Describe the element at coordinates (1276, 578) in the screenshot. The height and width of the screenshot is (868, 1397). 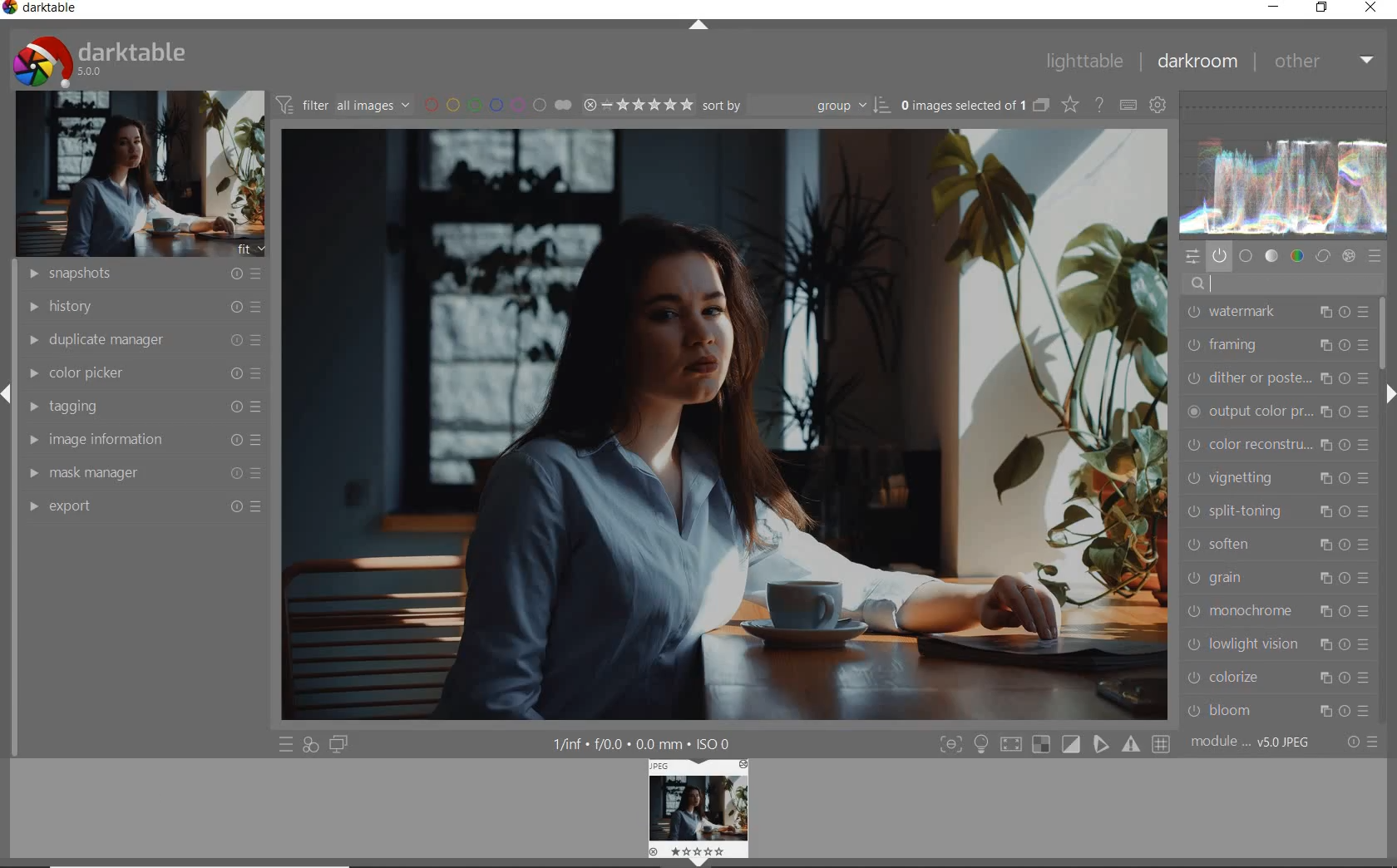
I see `grain` at that location.